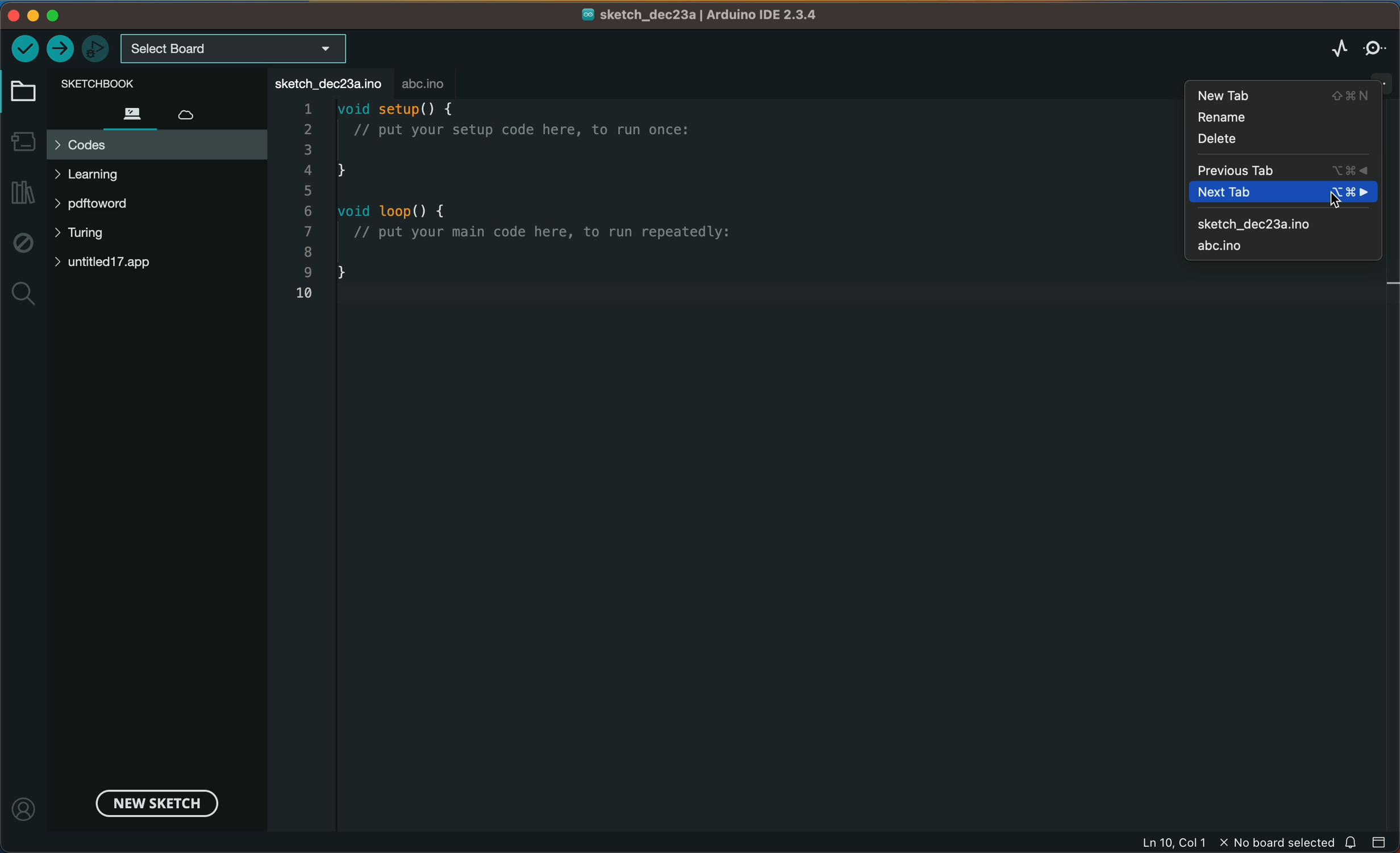 This screenshot has height=853, width=1400. I want to click on sketch book, so click(105, 84).